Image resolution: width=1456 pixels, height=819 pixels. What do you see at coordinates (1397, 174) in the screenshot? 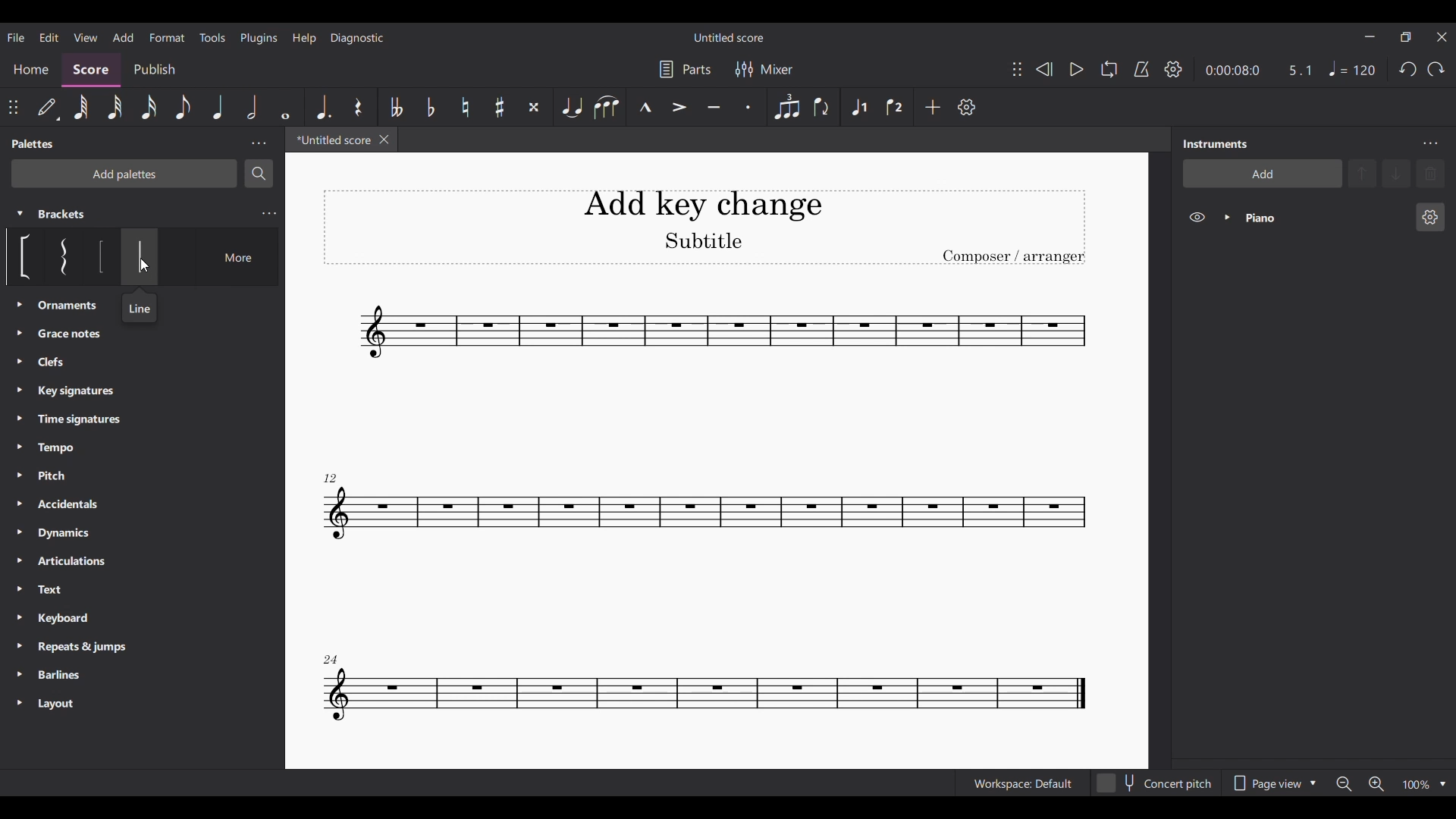
I see `Move down` at bounding box center [1397, 174].